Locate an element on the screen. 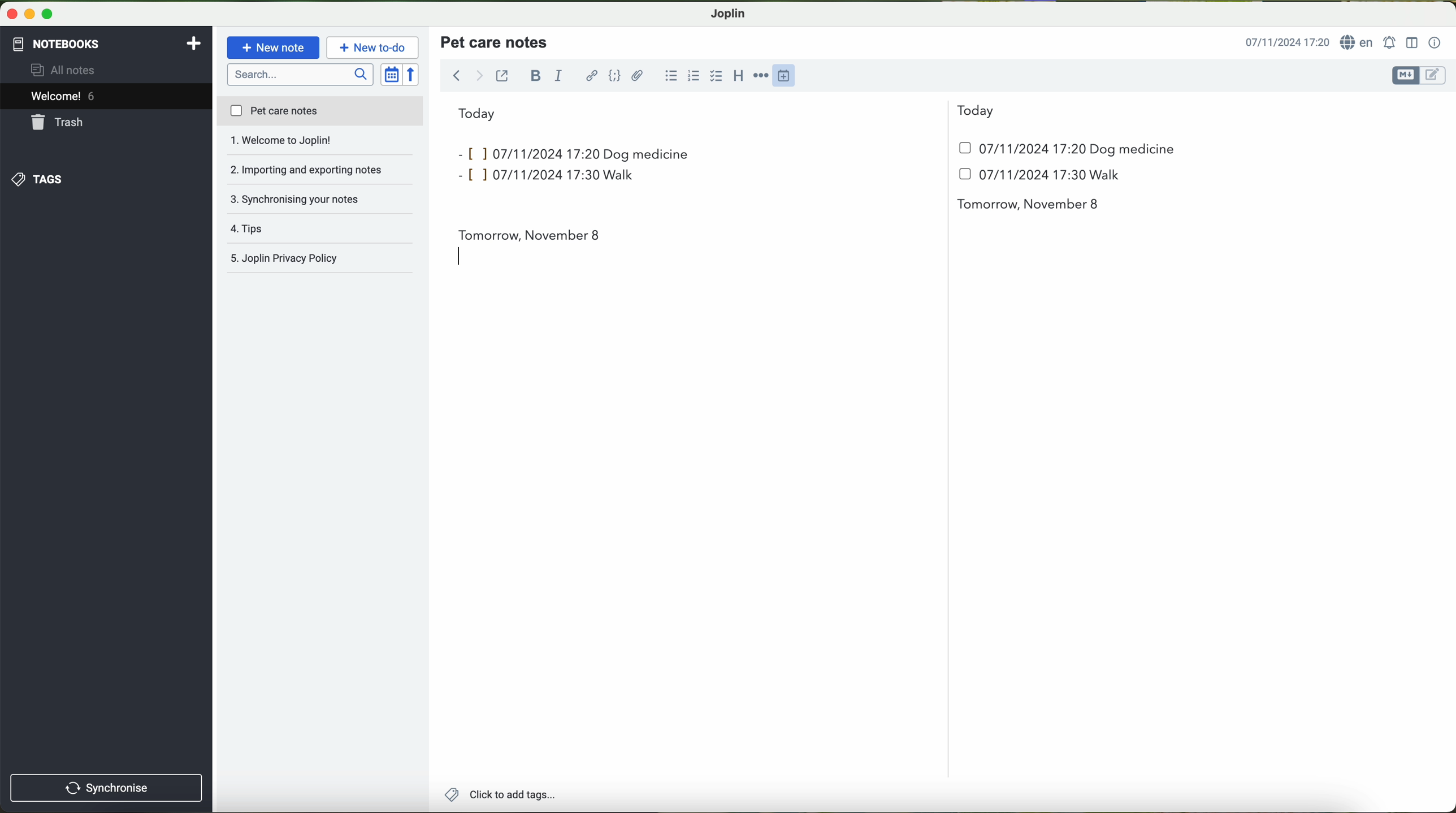  inputs is located at coordinates (524, 153).